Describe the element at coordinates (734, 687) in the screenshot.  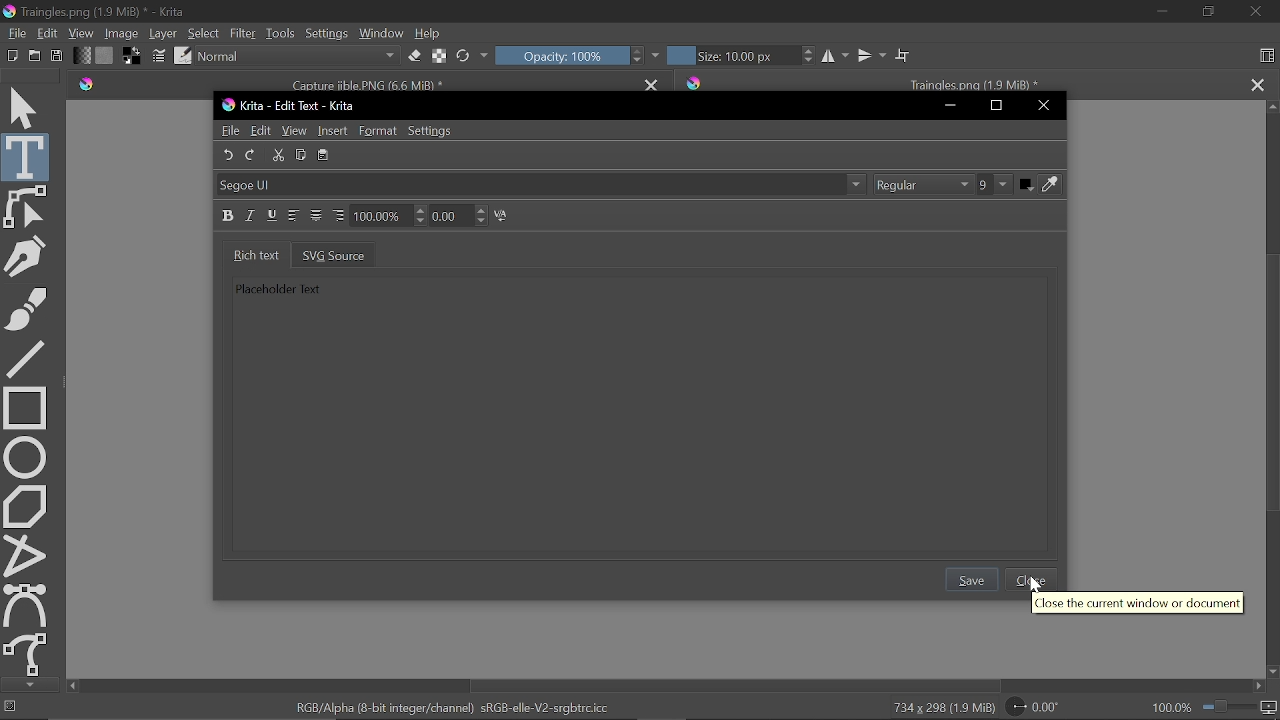
I see `Horizontal scrollbar` at that location.